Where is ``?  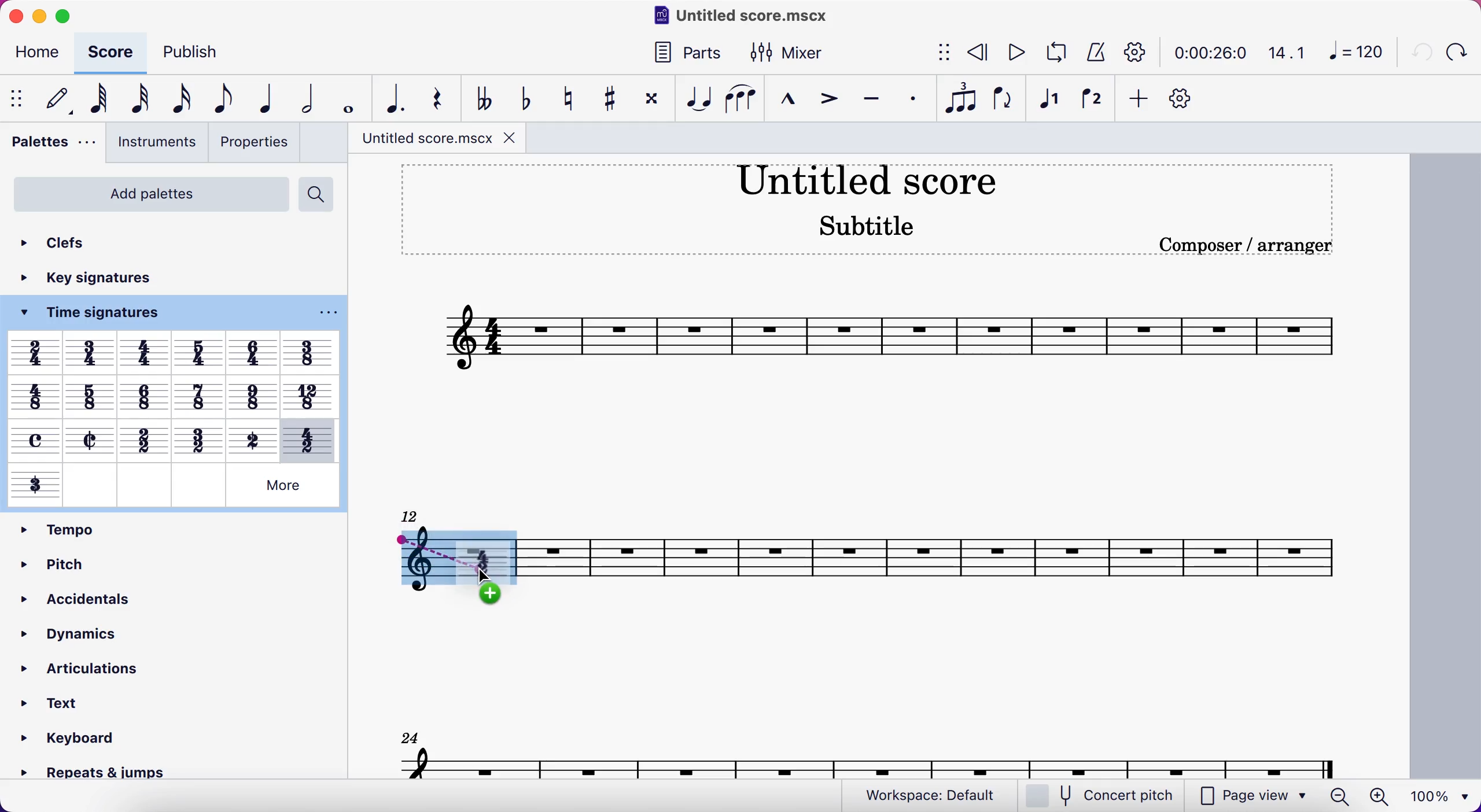
 is located at coordinates (197, 439).